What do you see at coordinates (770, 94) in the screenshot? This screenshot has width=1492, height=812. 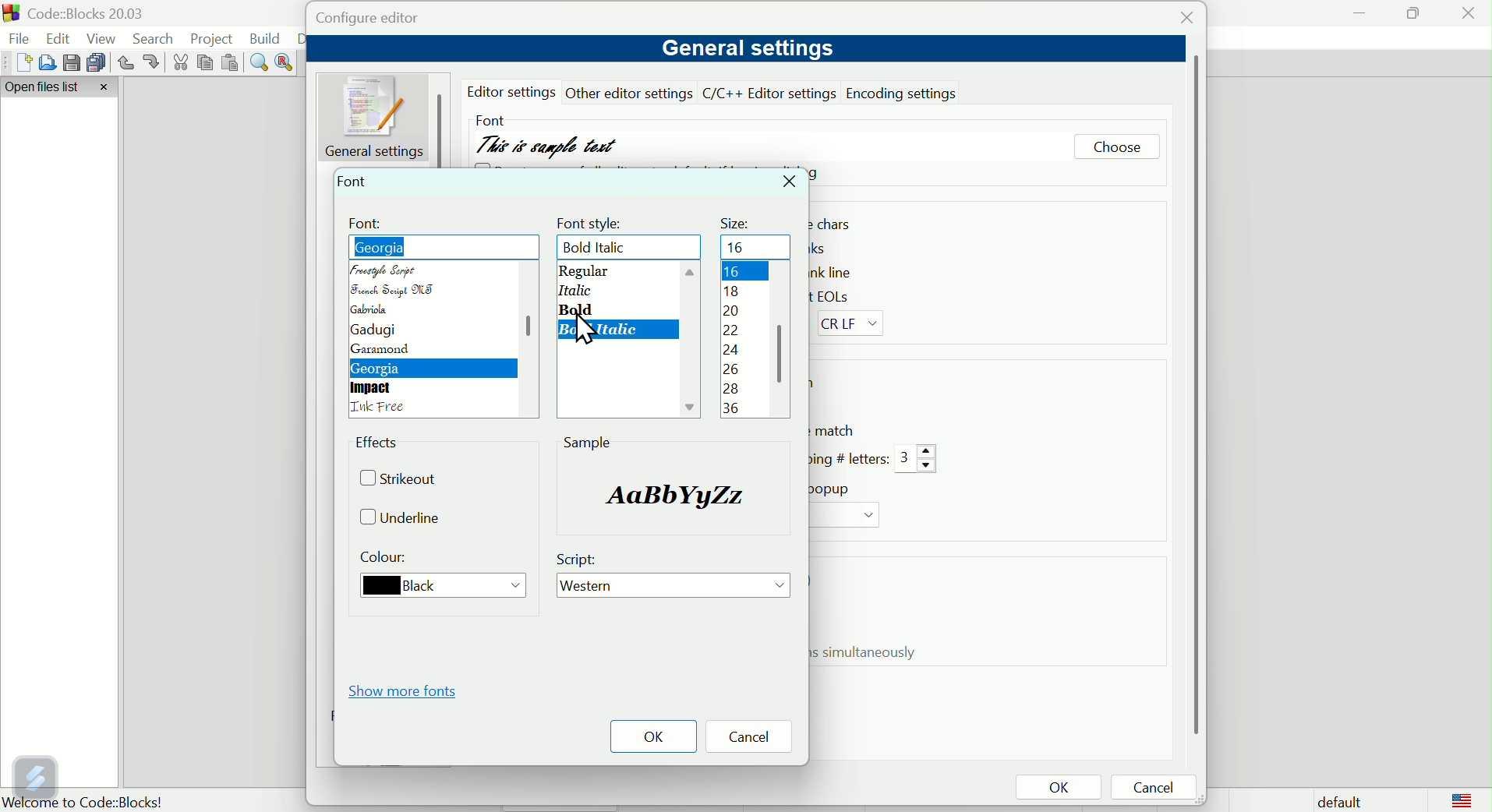 I see `C/C++ editor setting` at bounding box center [770, 94].